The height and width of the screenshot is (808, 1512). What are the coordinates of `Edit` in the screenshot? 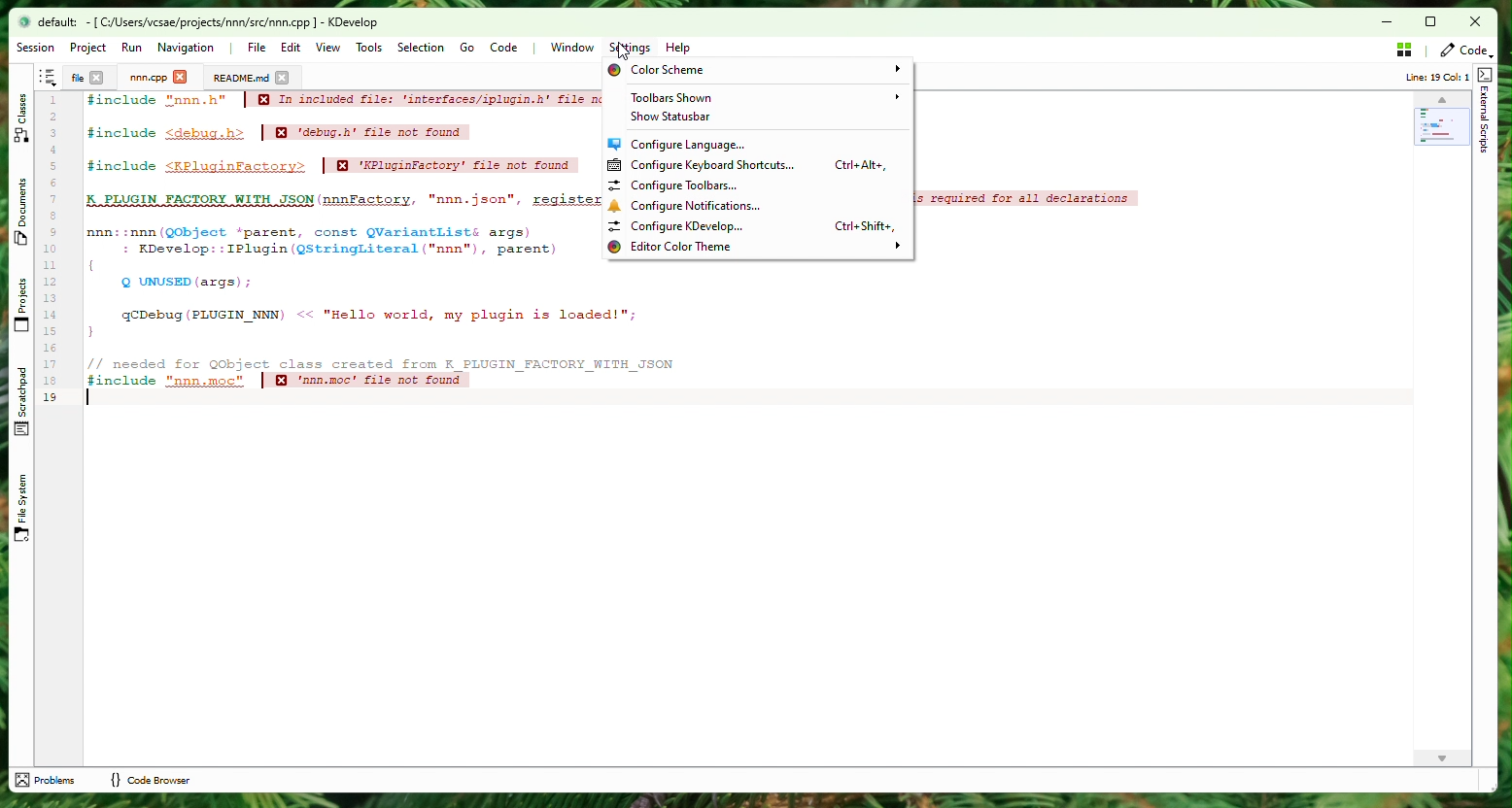 It's located at (291, 50).